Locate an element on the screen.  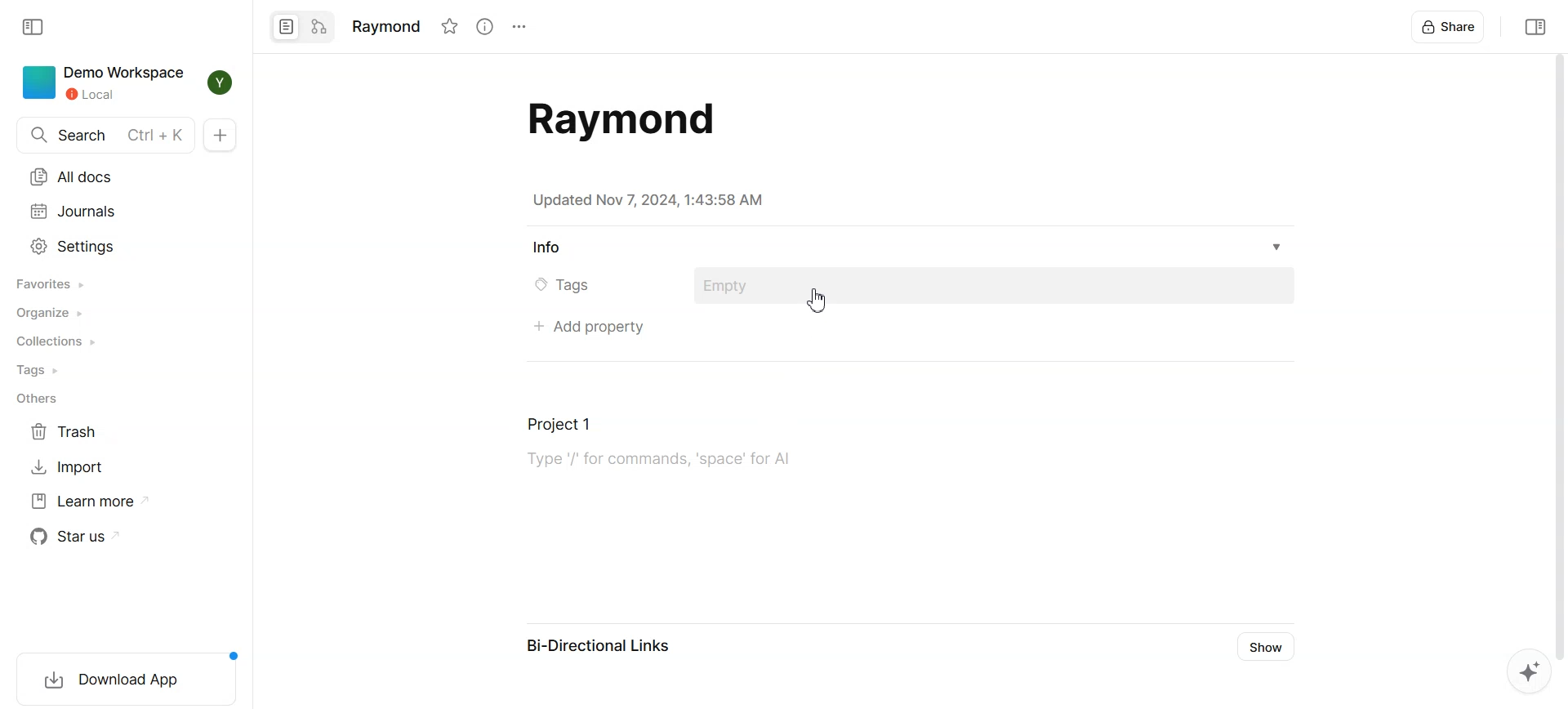
Import is located at coordinates (68, 466).